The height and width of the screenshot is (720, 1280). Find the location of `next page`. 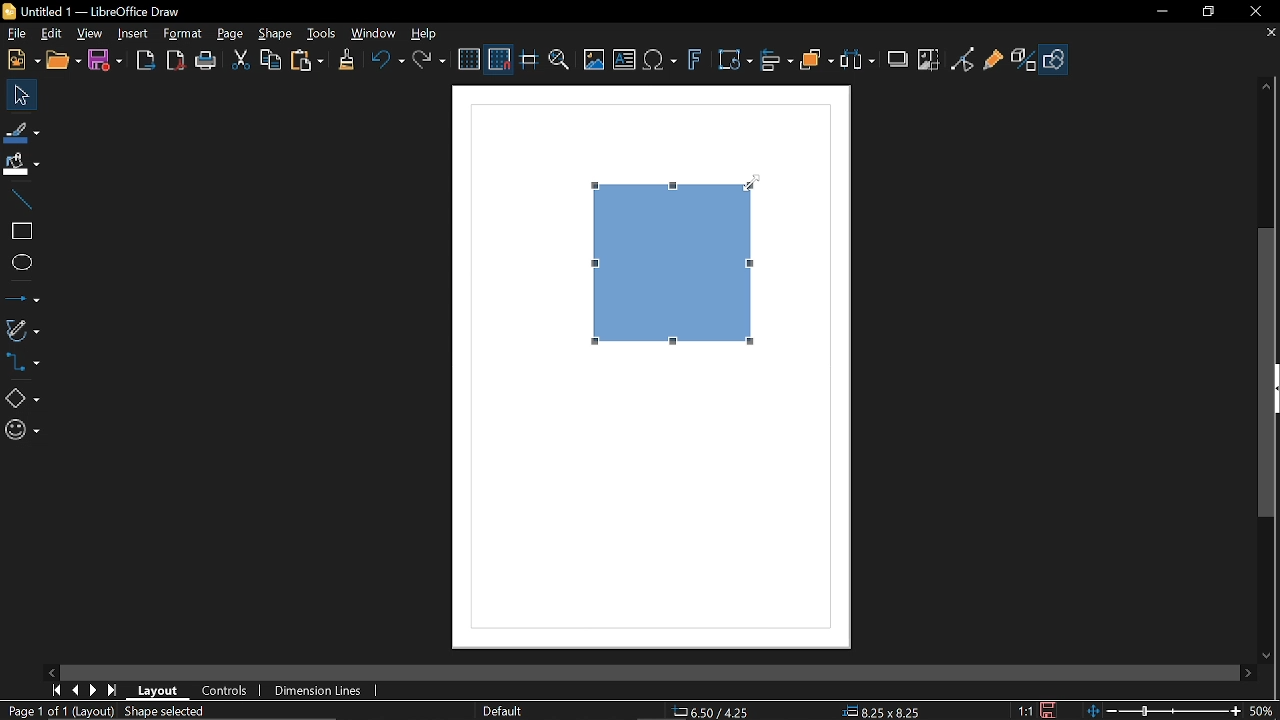

next page is located at coordinates (95, 689).